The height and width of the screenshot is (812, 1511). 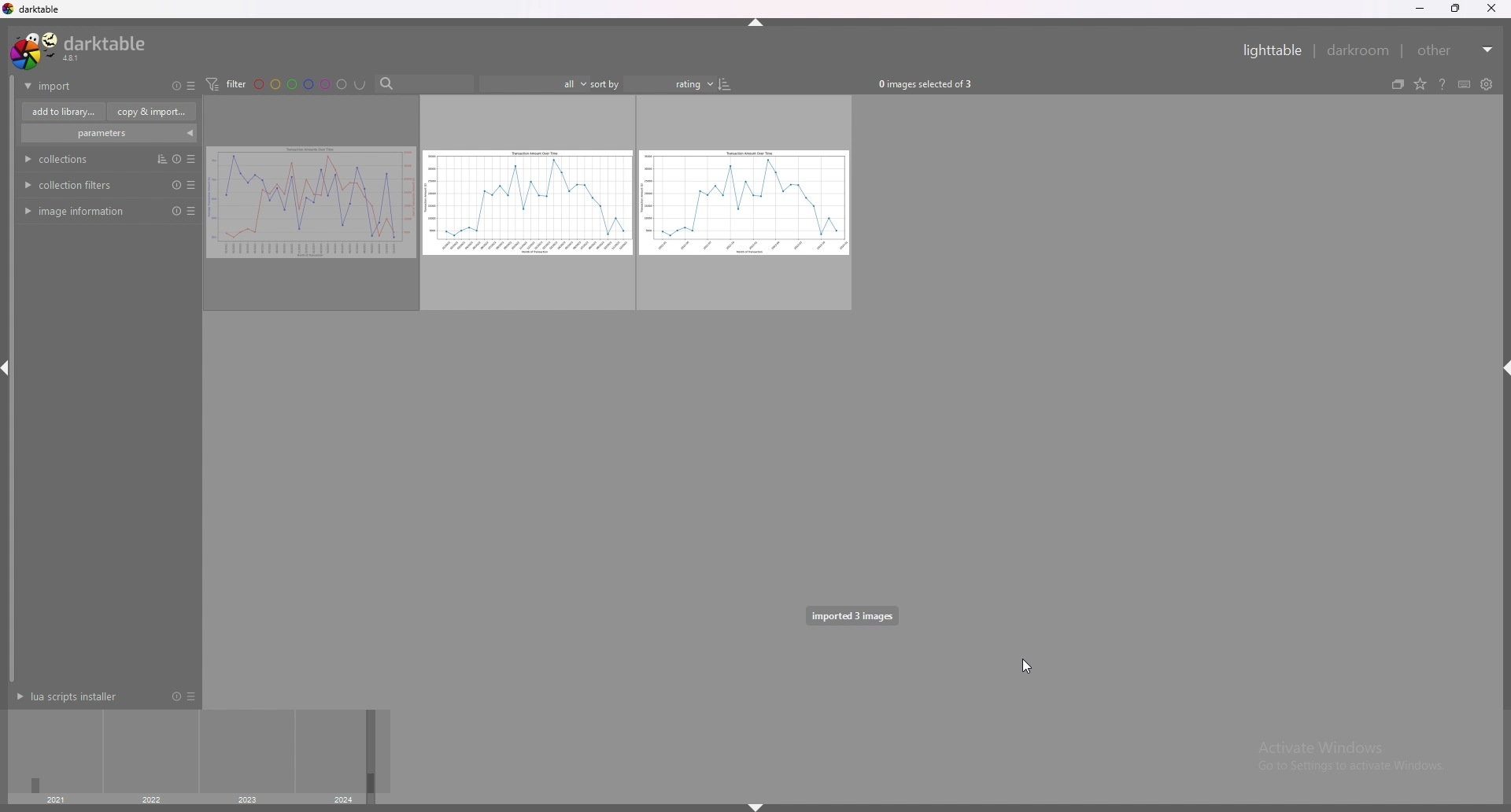 What do you see at coordinates (105, 133) in the screenshot?
I see `parameters` at bounding box center [105, 133].